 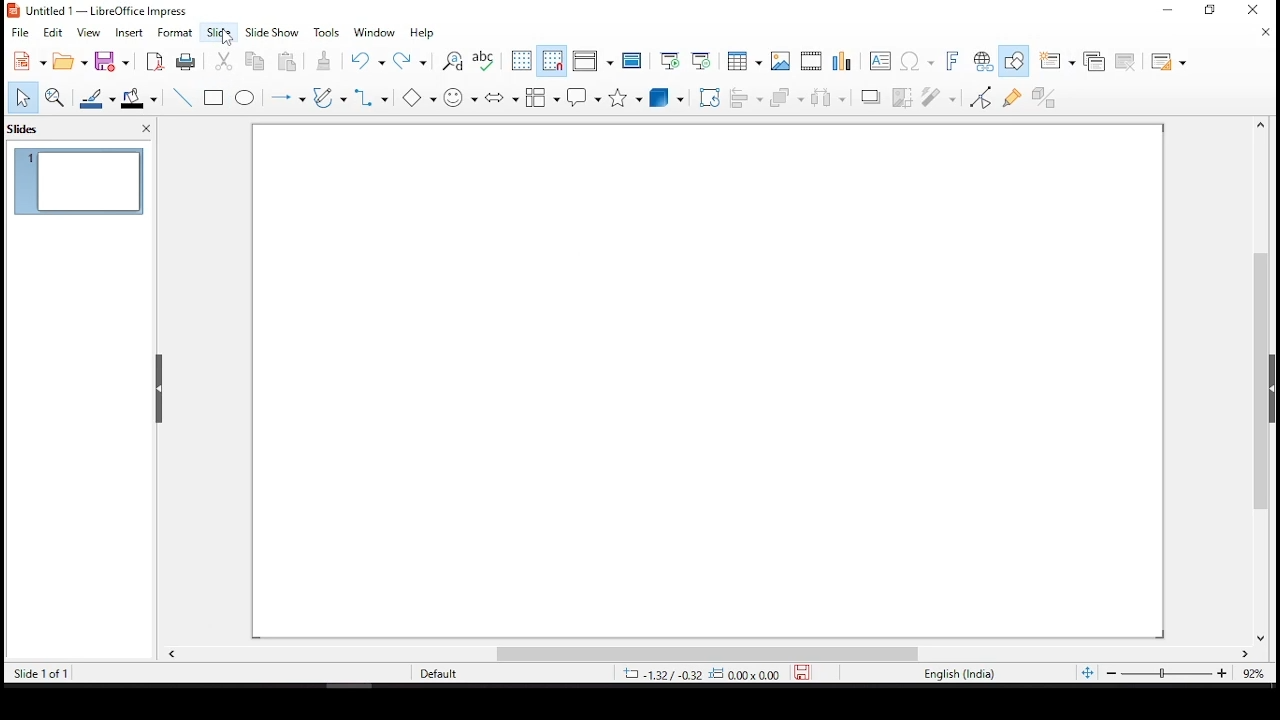 I want to click on block arrows, so click(x=500, y=96).